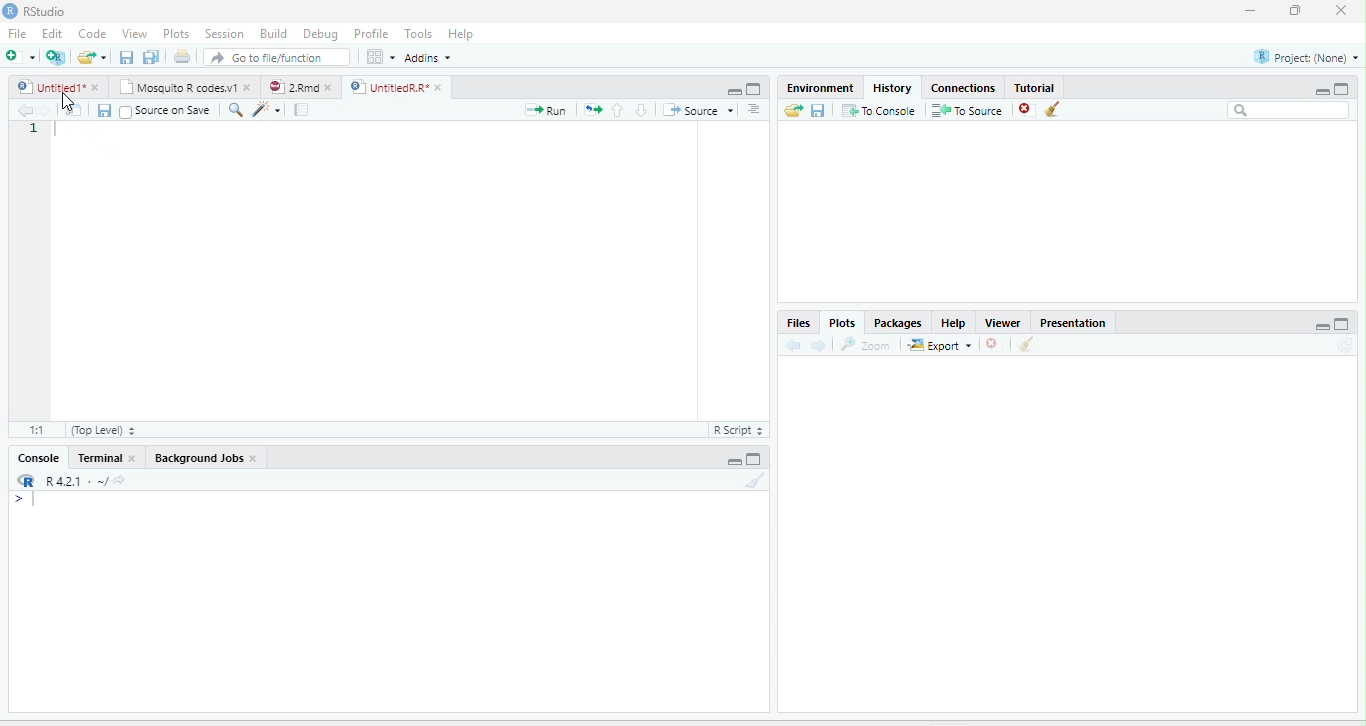  What do you see at coordinates (1341, 11) in the screenshot?
I see `close` at bounding box center [1341, 11].